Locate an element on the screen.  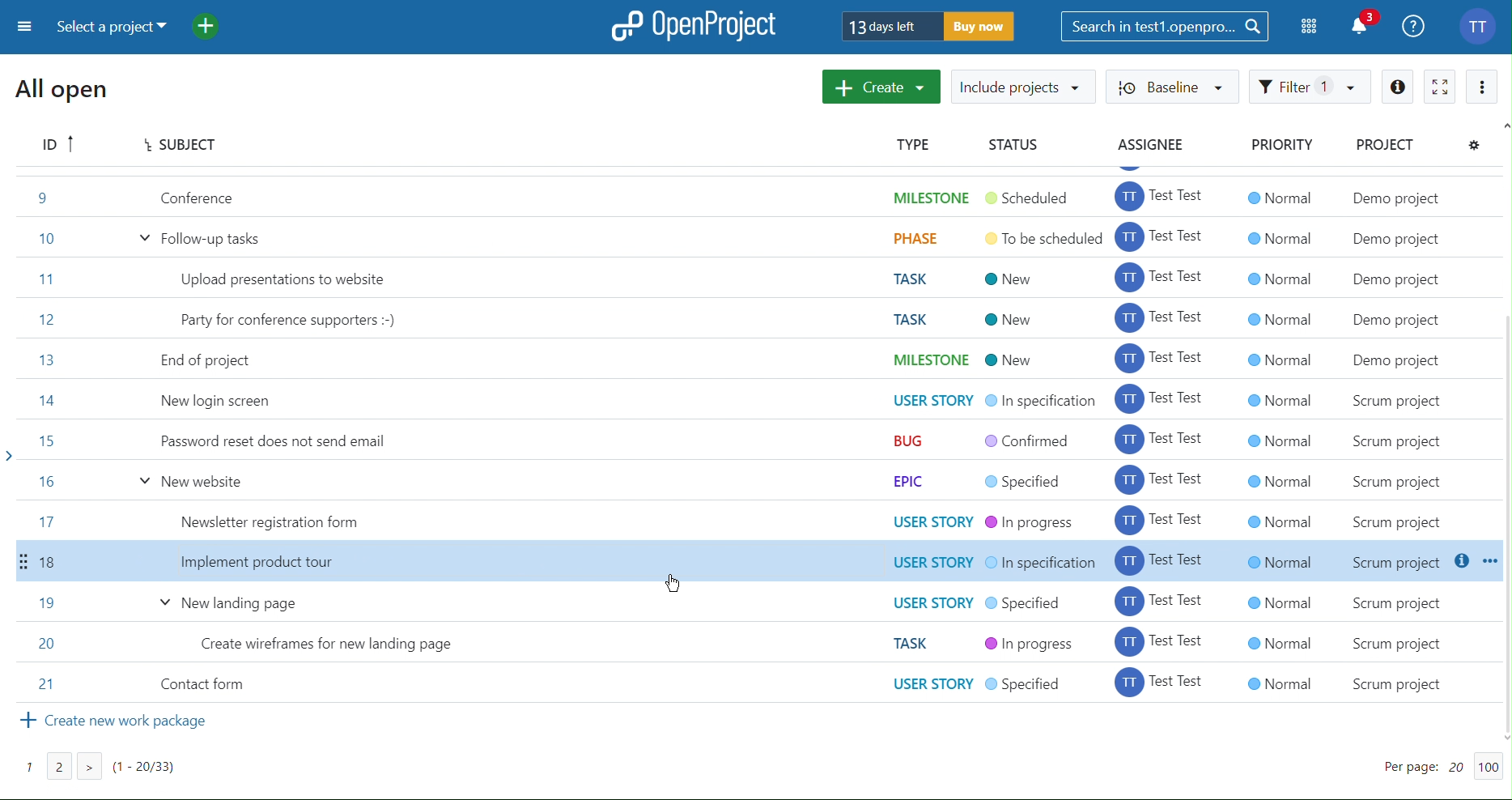
Menu is located at coordinates (22, 28).